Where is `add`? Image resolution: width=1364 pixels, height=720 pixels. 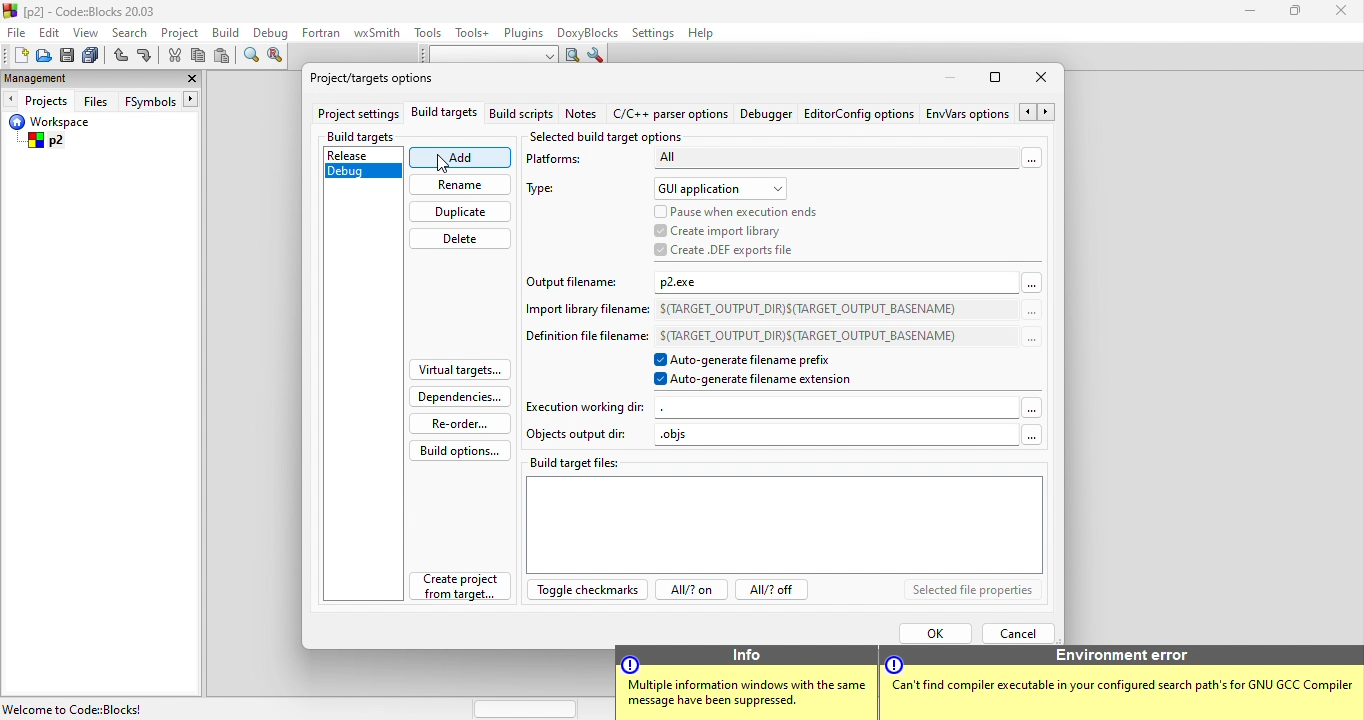 add is located at coordinates (463, 158).